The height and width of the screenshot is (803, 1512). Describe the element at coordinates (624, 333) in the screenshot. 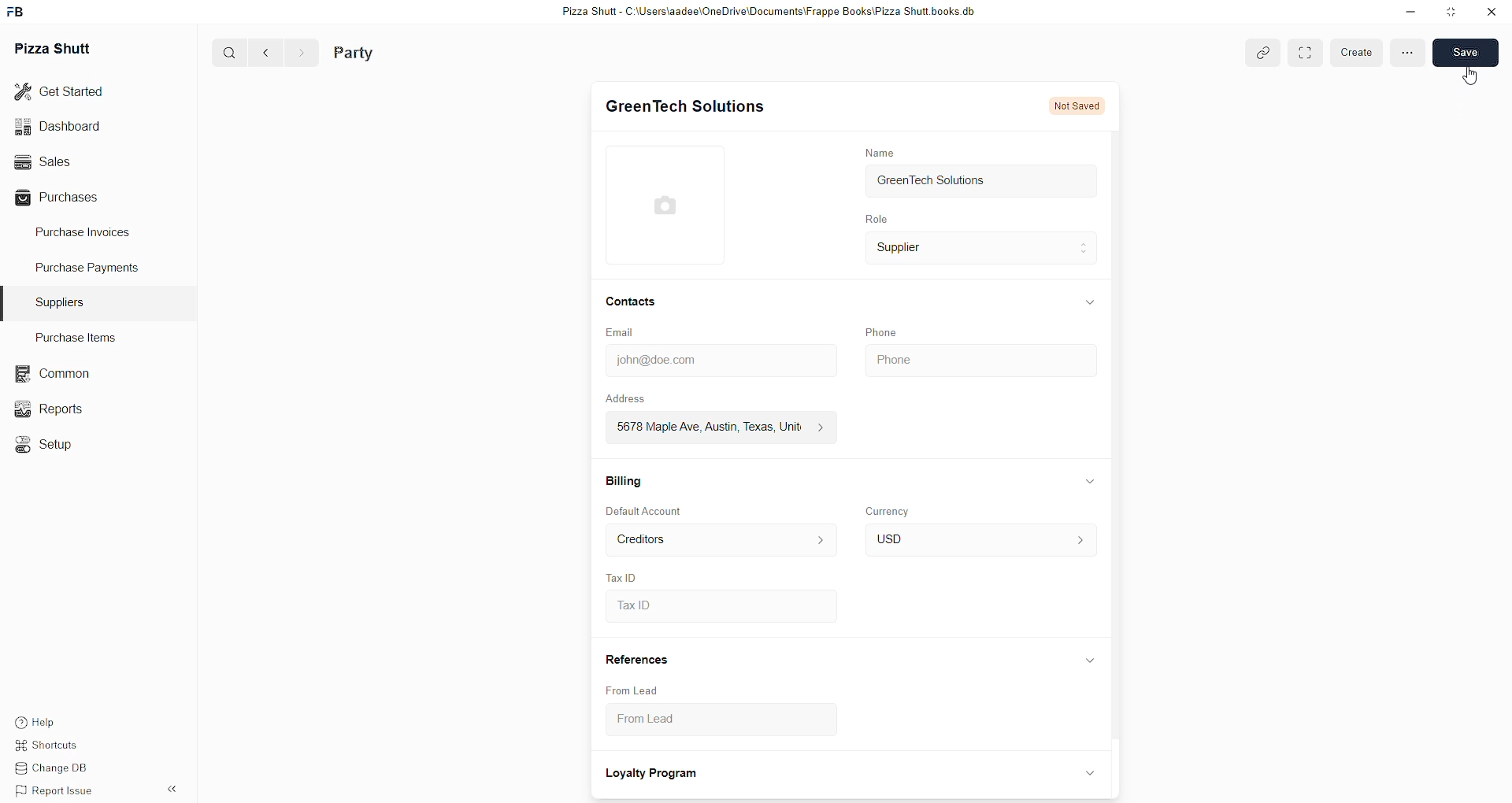

I see `Email` at that location.